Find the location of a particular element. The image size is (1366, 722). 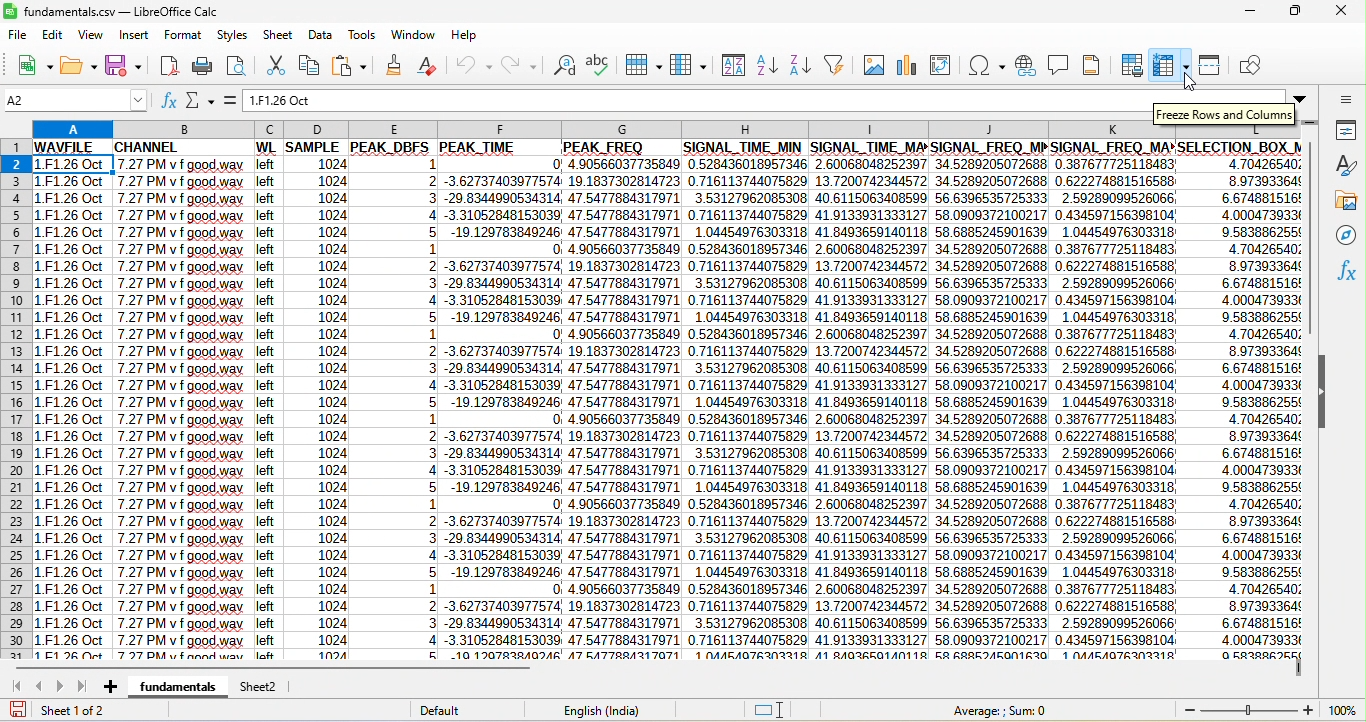

sheet is located at coordinates (278, 36).